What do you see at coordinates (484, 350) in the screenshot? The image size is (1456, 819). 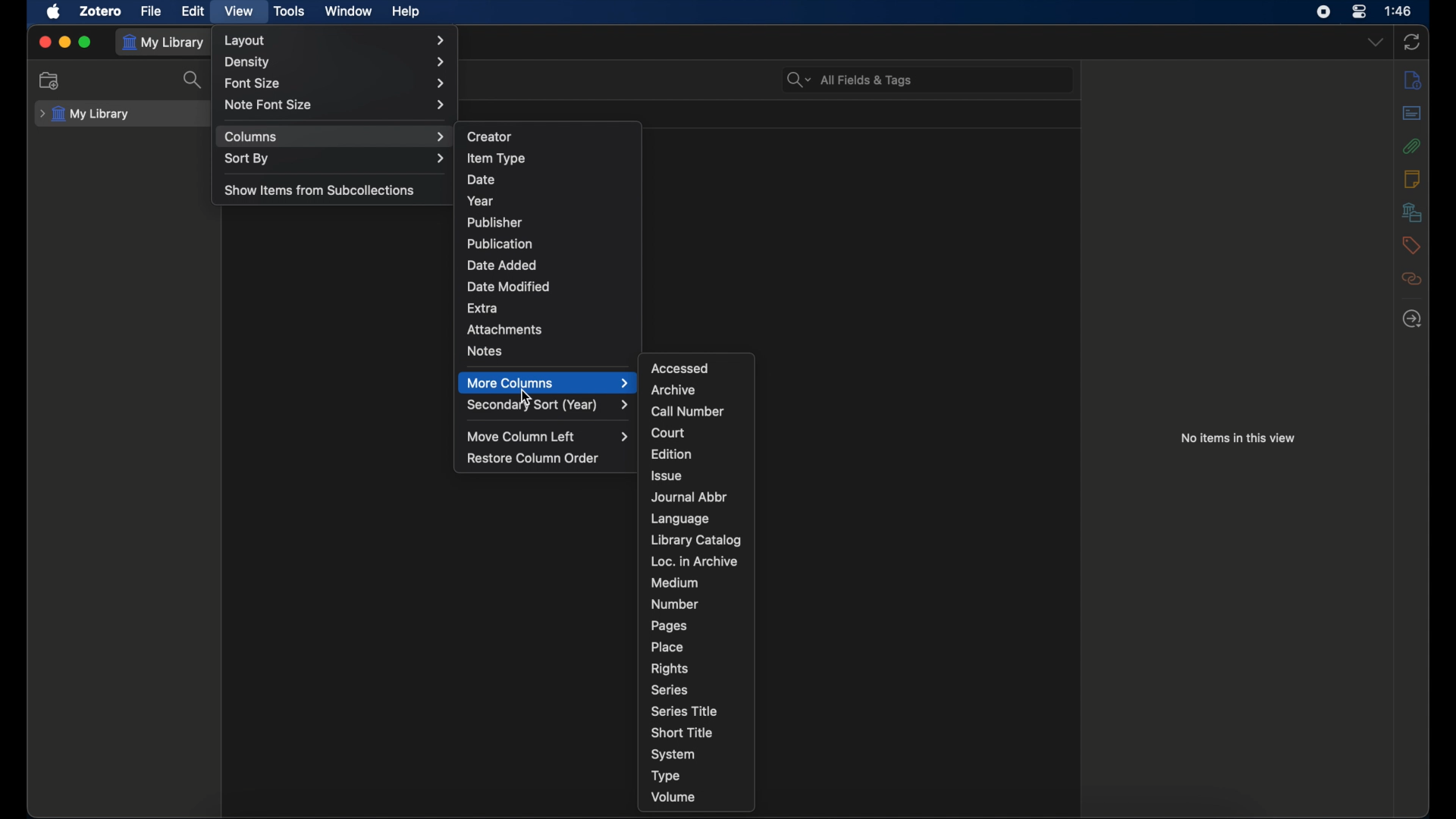 I see `notes` at bounding box center [484, 350].